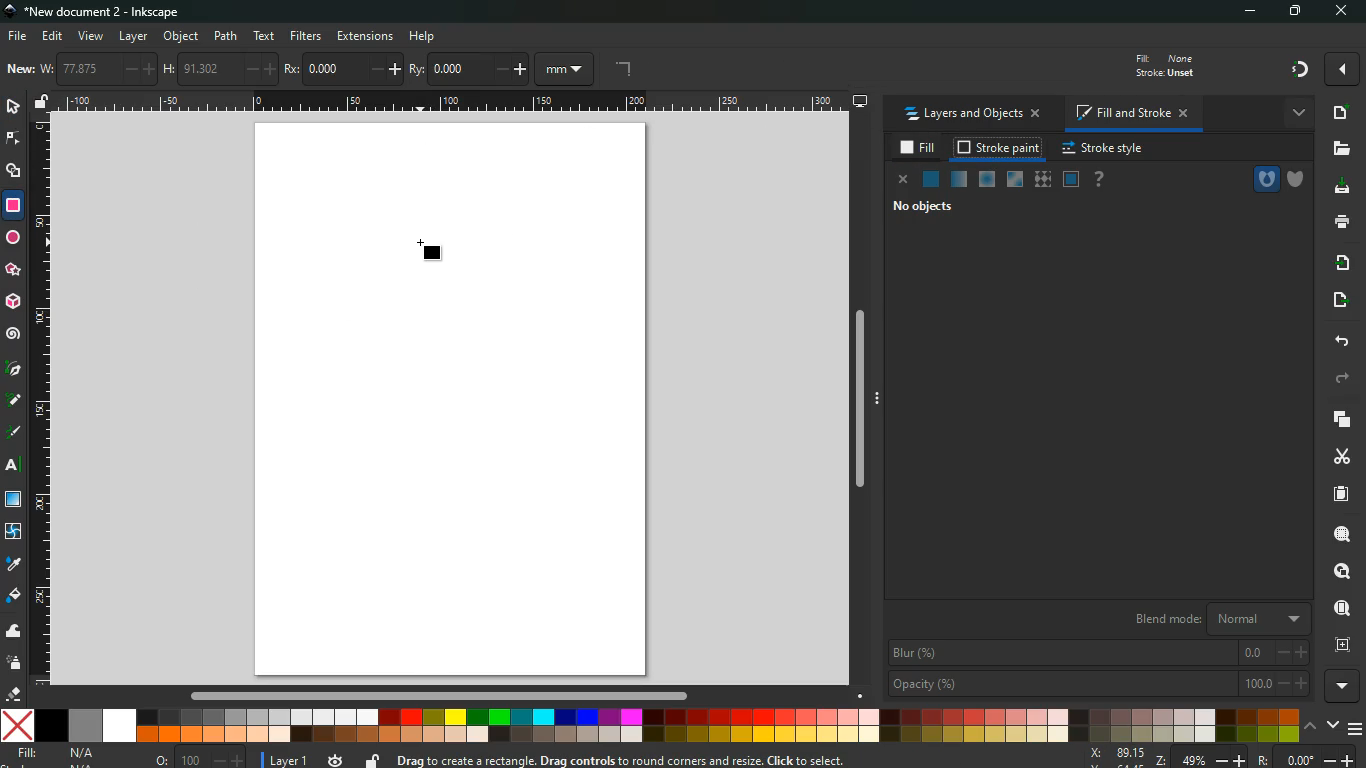 This screenshot has width=1366, height=768. I want to click on ice, so click(987, 180).